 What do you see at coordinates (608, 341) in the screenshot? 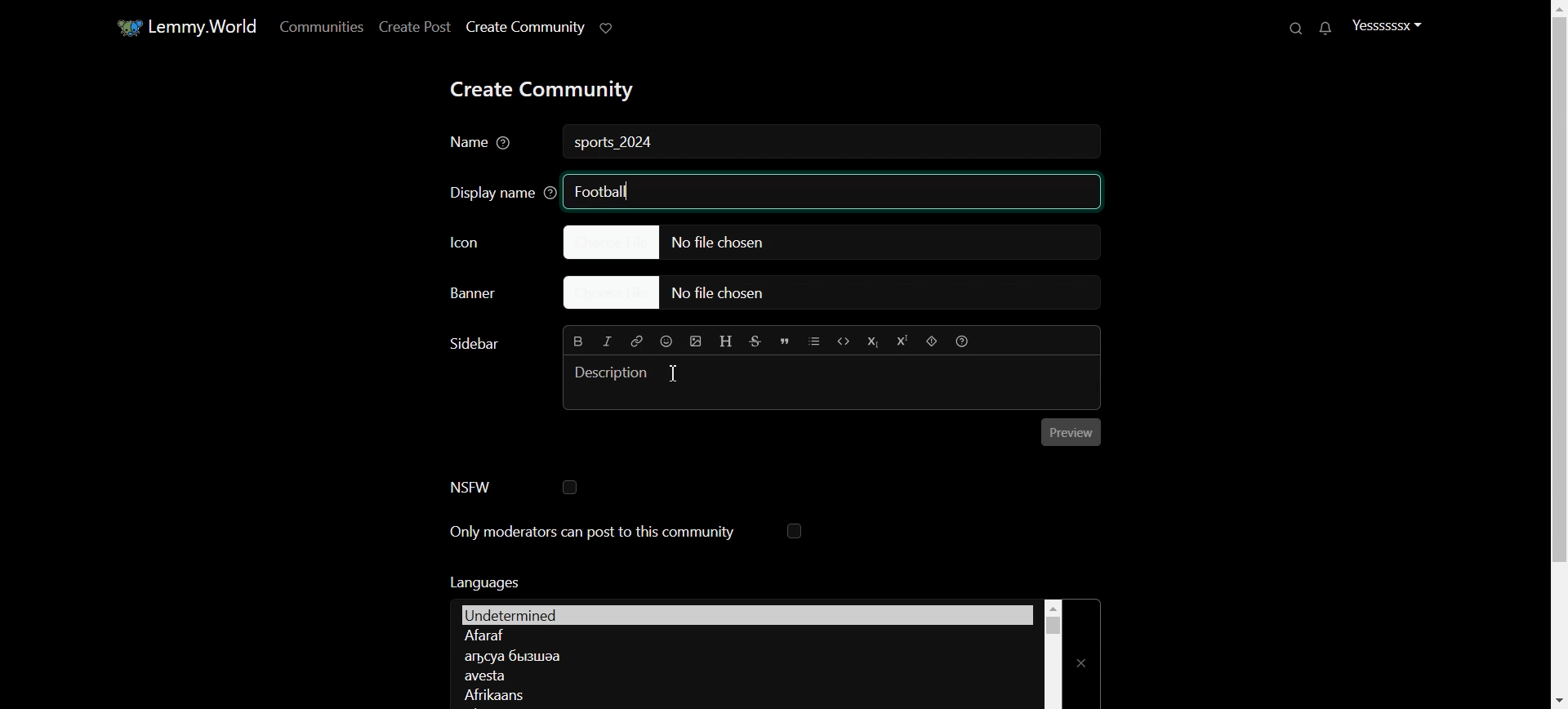
I see `Italic` at bounding box center [608, 341].